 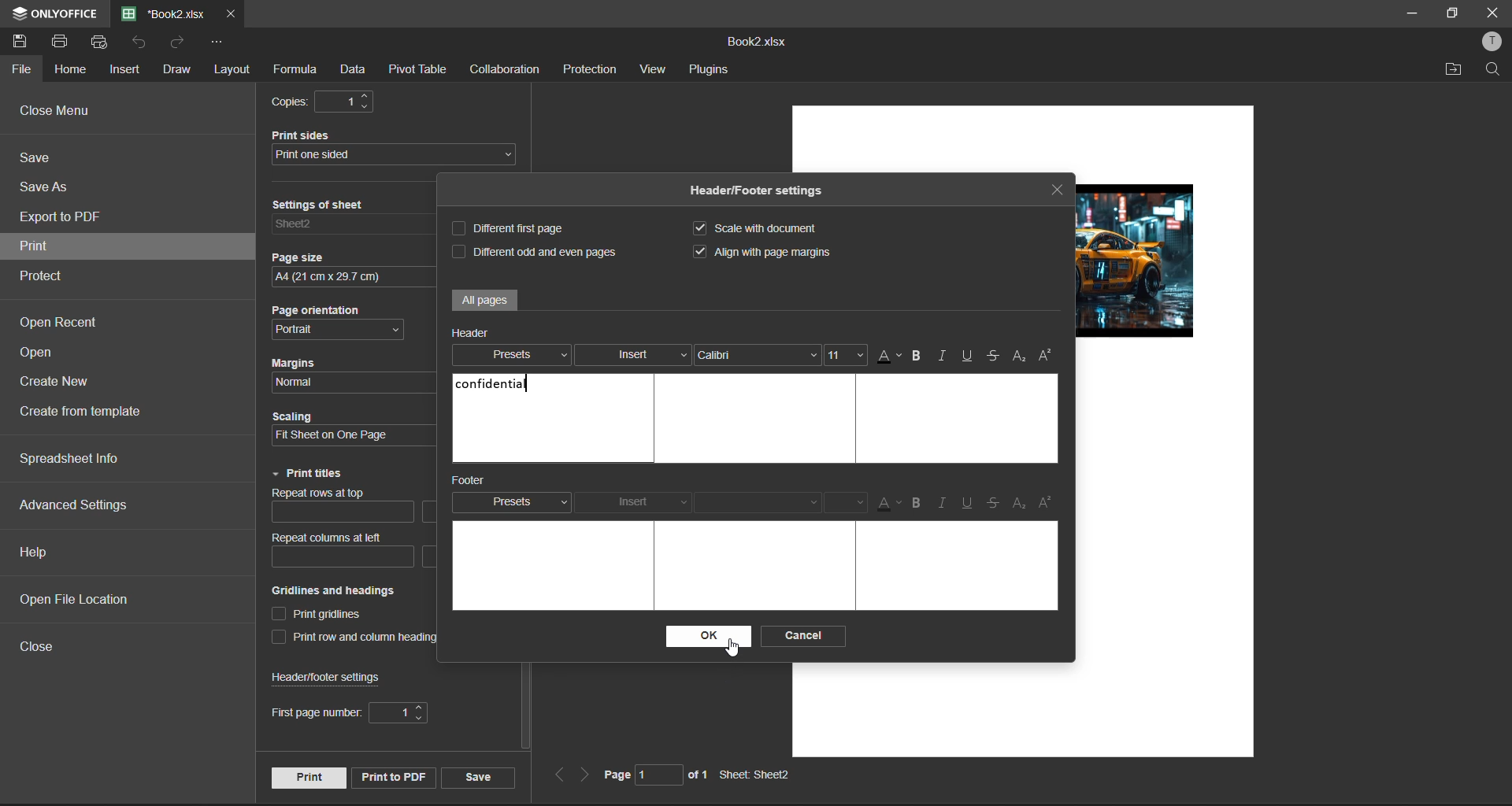 I want to click on spreadsheet info, so click(x=70, y=460).